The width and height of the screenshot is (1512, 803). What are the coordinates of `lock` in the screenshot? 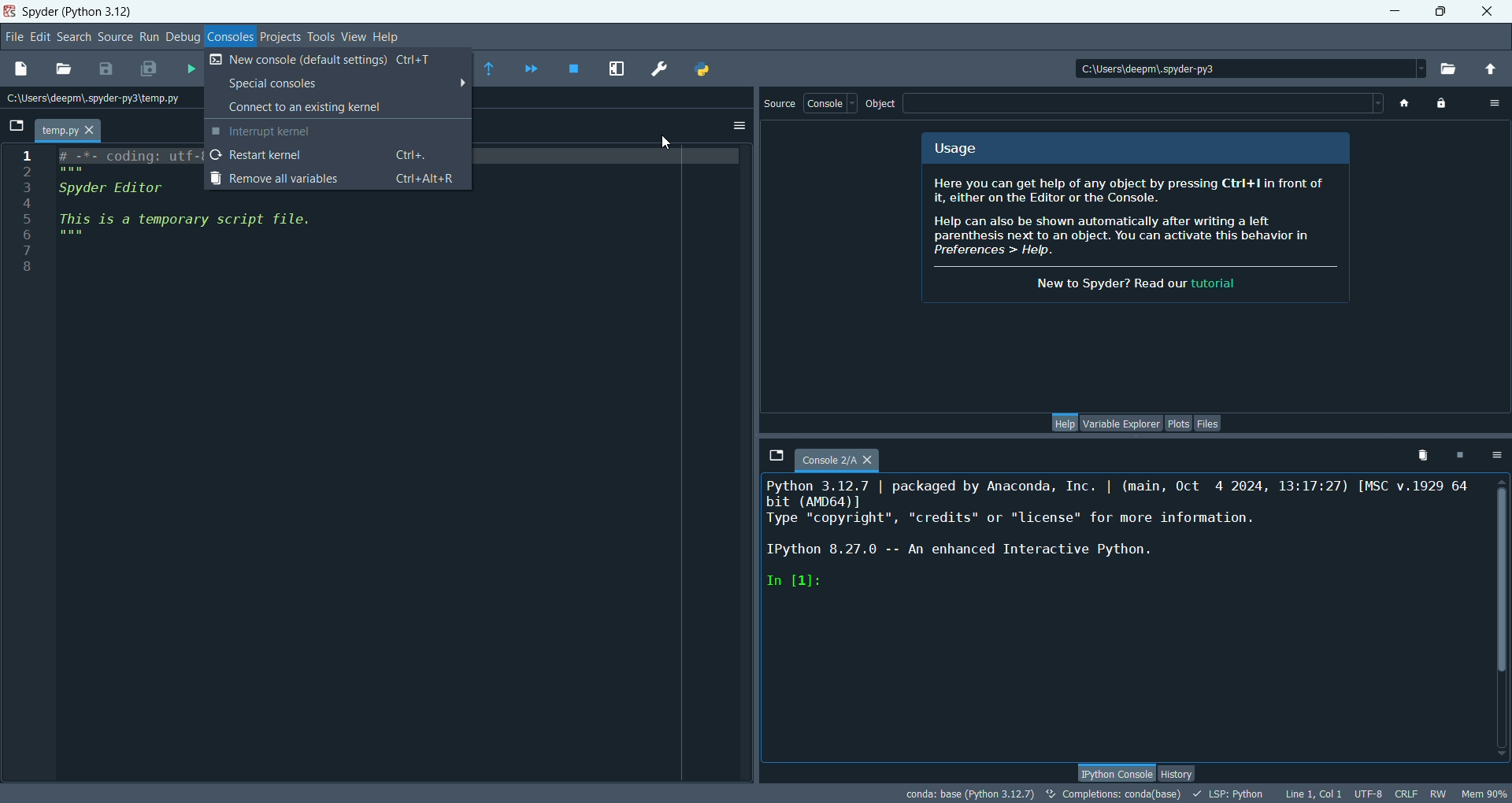 It's located at (1440, 103).